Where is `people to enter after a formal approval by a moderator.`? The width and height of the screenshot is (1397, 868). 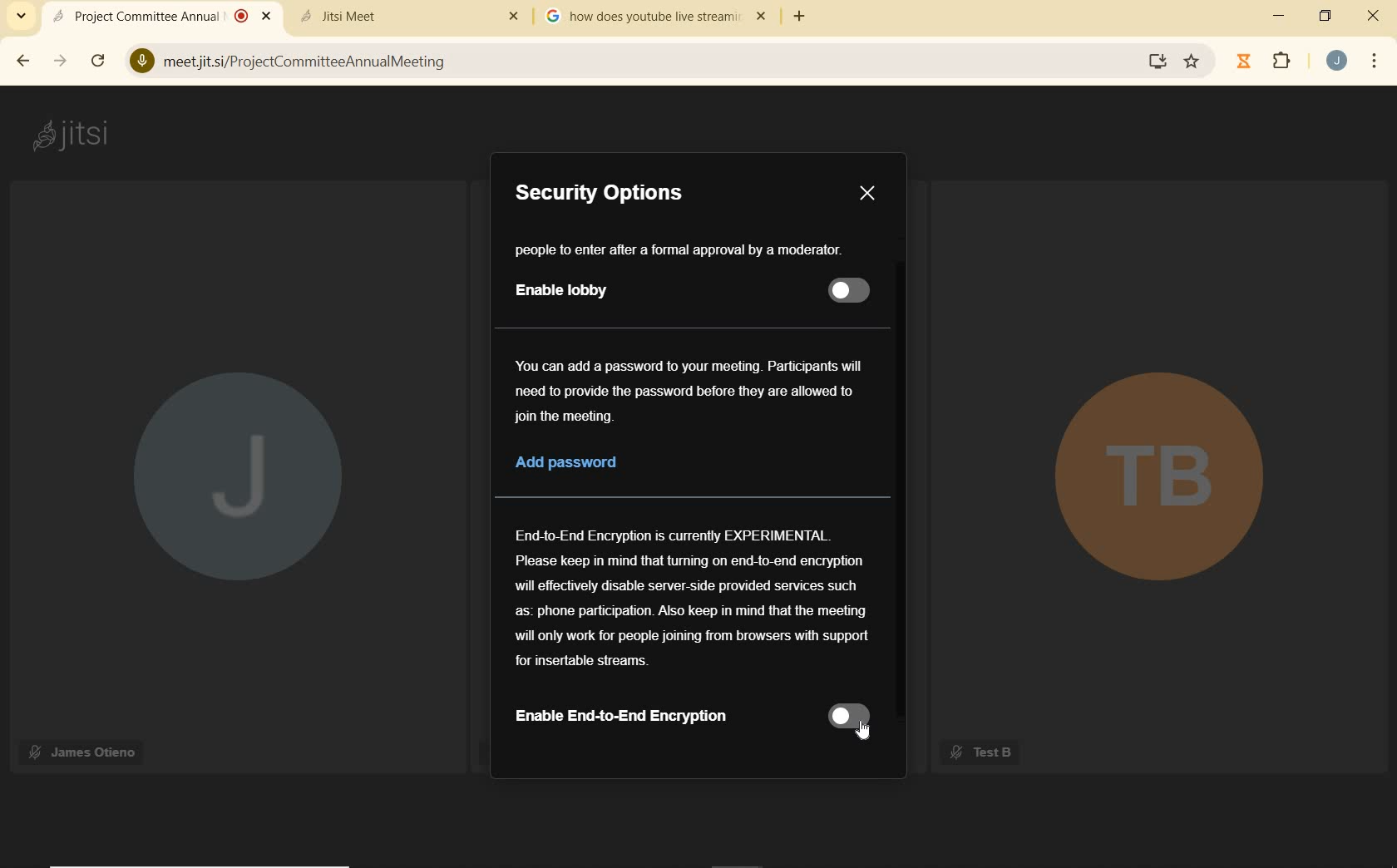
people to enter after a formal approval by a moderator. is located at coordinates (684, 250).